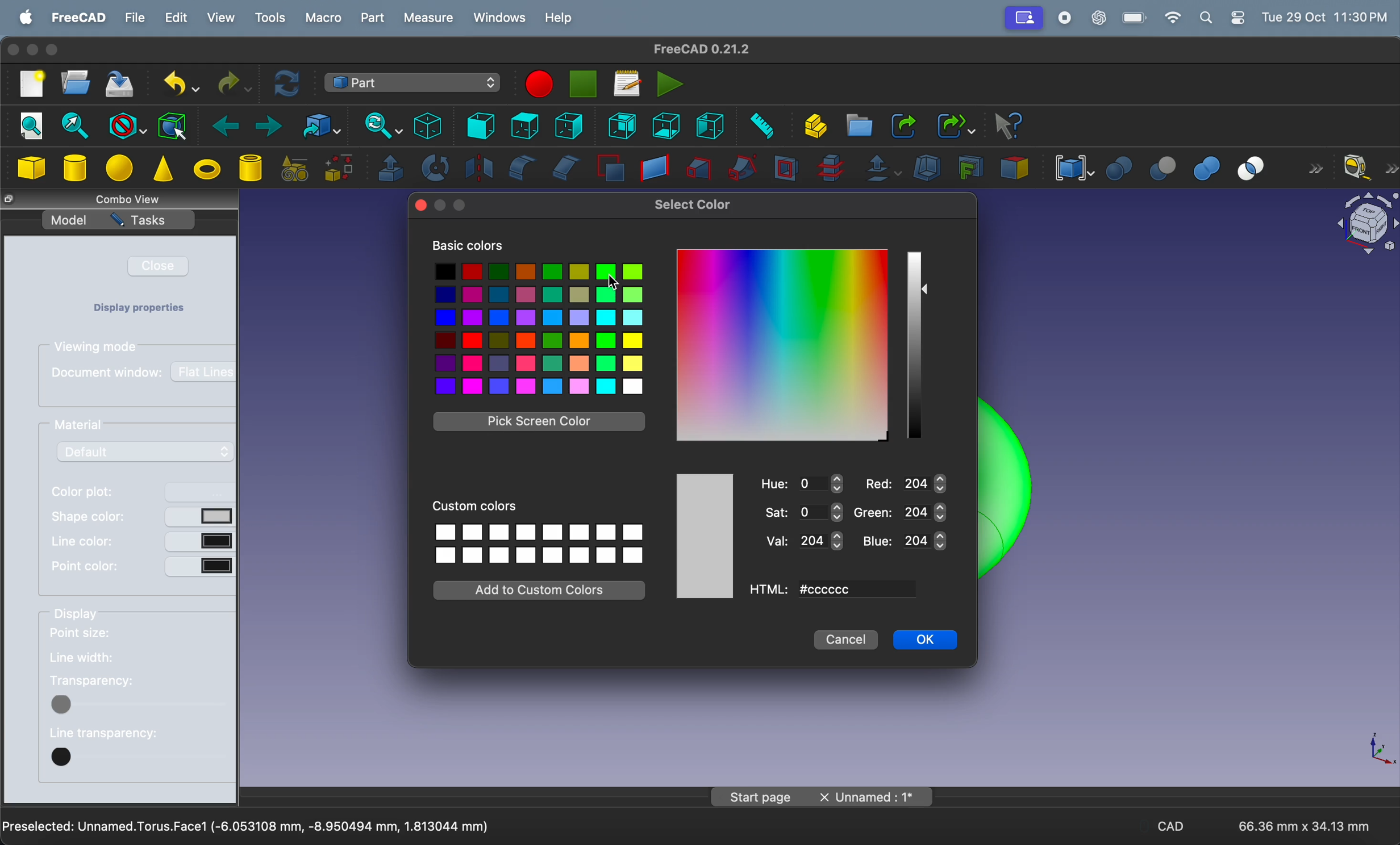 The width and height of the screenshot is (1400, 845). I want to click on display, so click(103, 615).